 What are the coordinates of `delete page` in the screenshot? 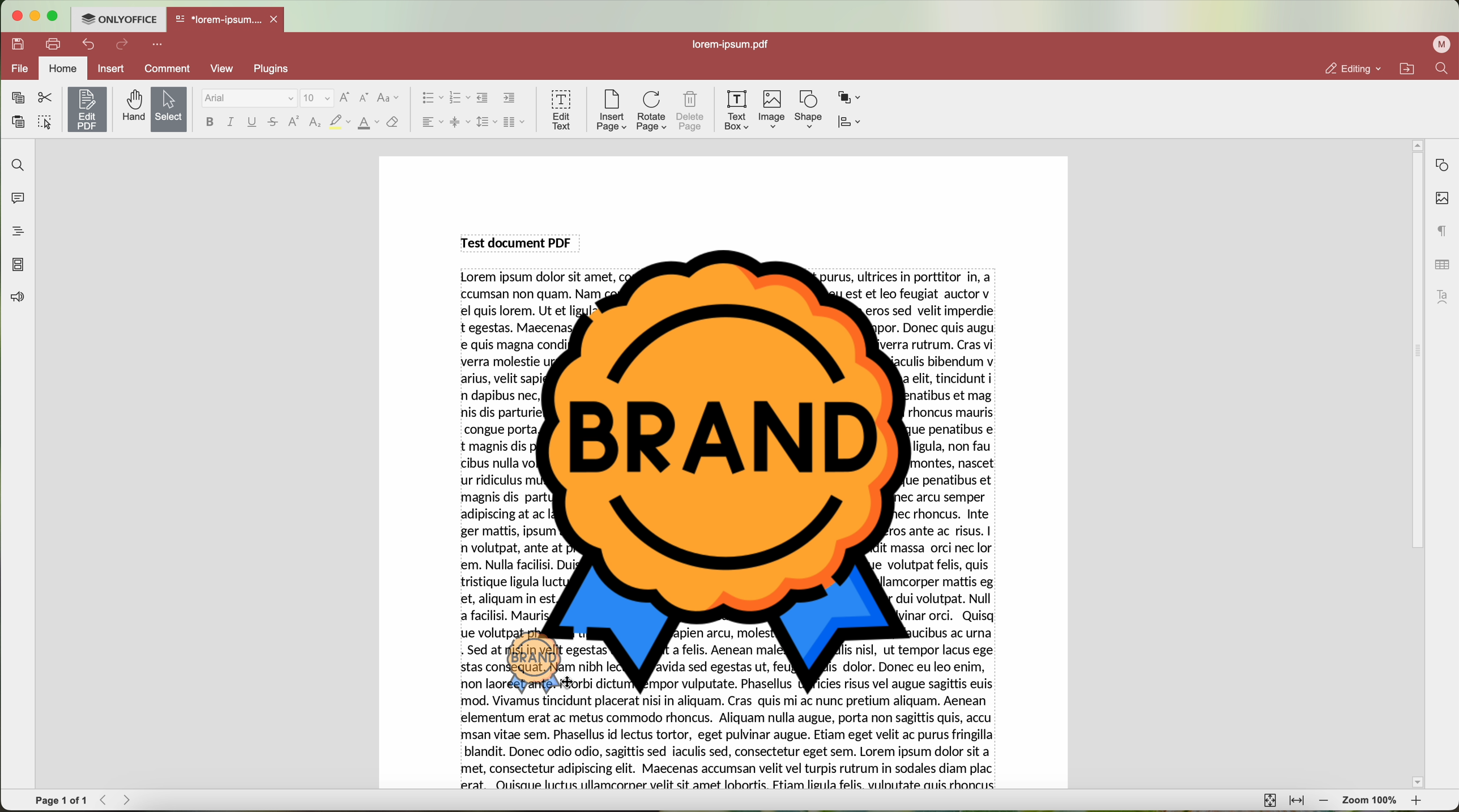 It's located at (691, 113).